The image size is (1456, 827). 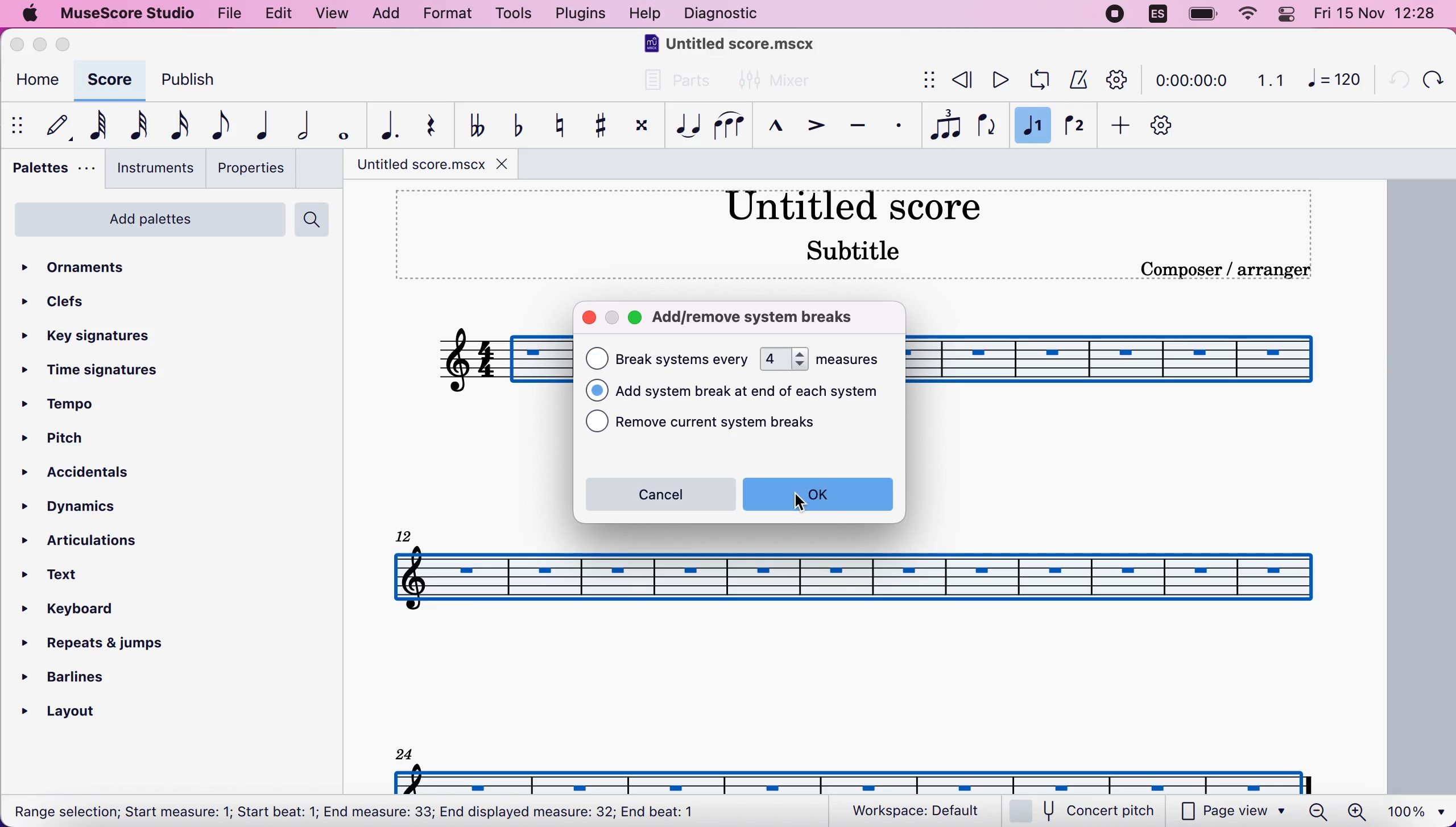 I want to click on flip direction, so click(x=988, y=126).